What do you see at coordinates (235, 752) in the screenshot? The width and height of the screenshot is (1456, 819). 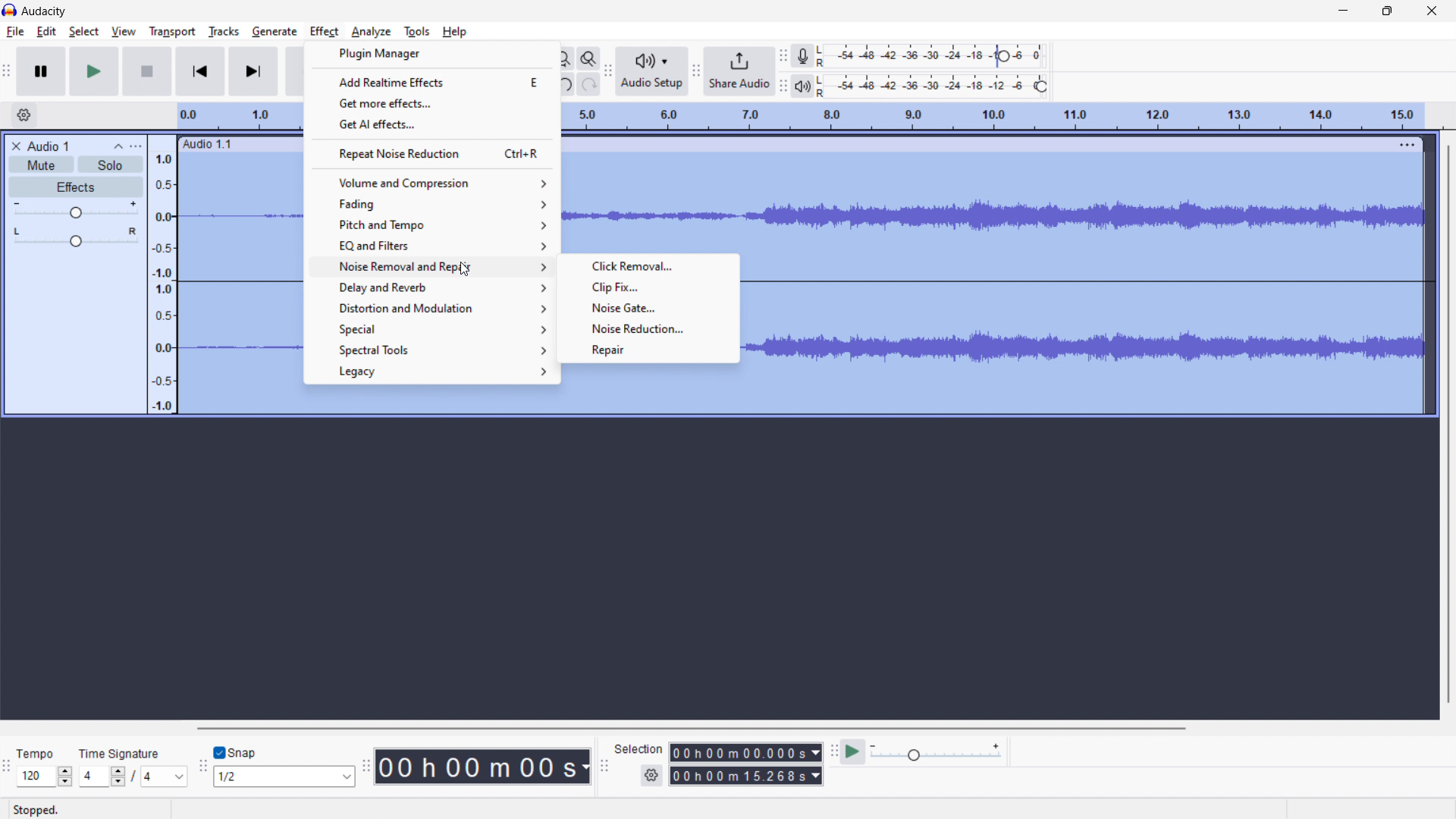 I see `toggle snap` at bounding box center [235, 752].